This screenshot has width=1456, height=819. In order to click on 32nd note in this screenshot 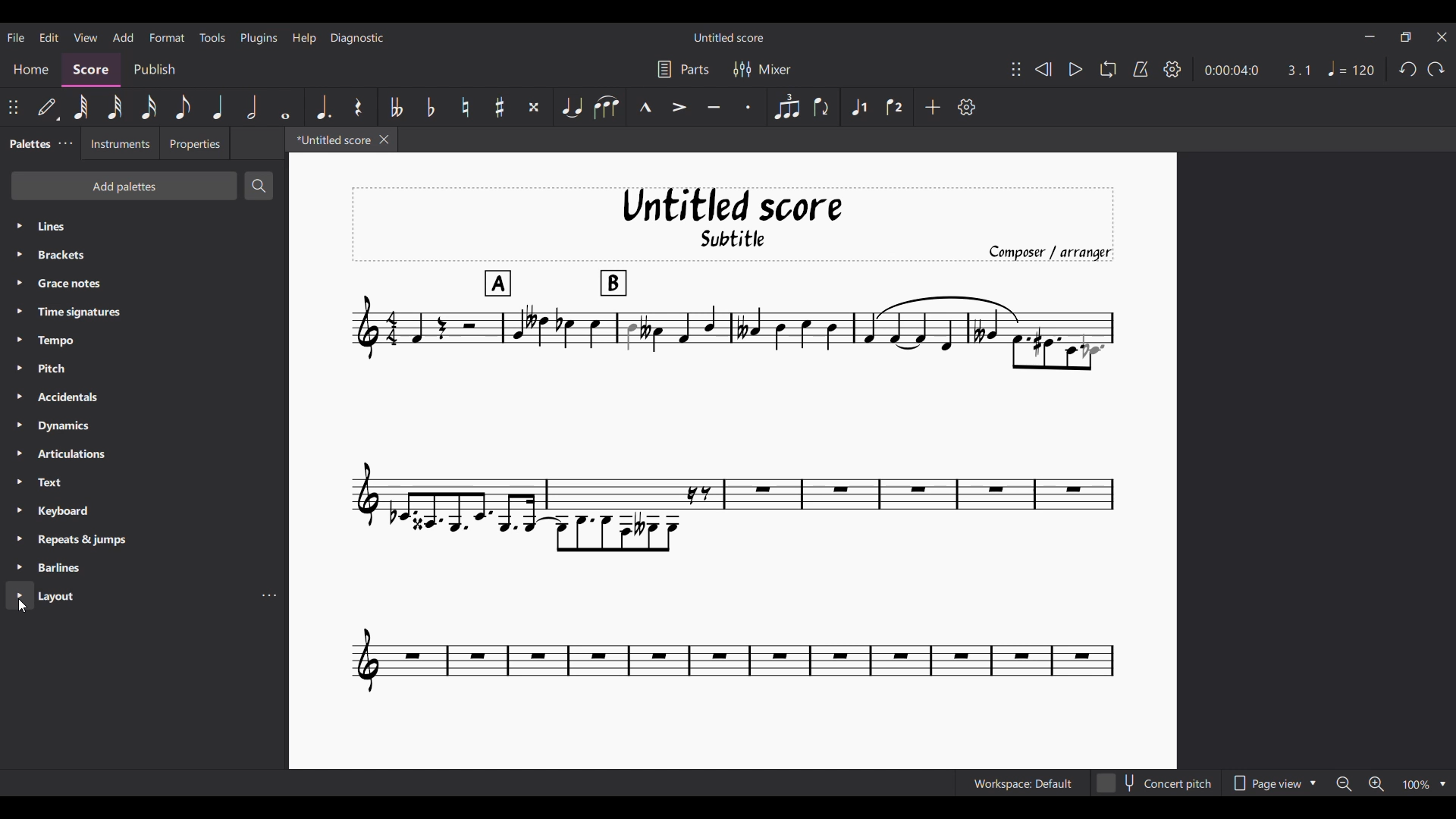, I will do `click(115, 107)`.